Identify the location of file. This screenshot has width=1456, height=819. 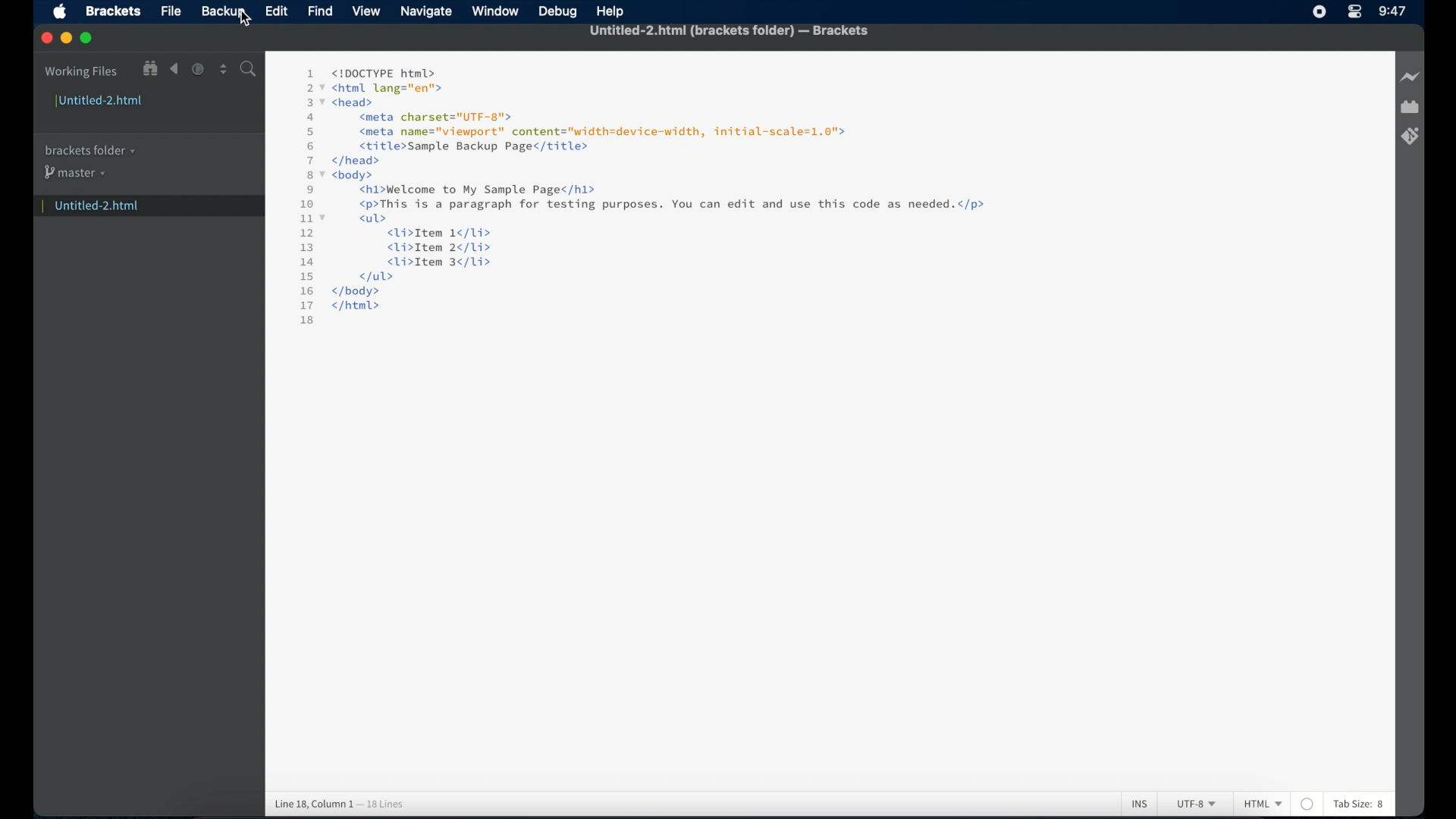
(172, 11).